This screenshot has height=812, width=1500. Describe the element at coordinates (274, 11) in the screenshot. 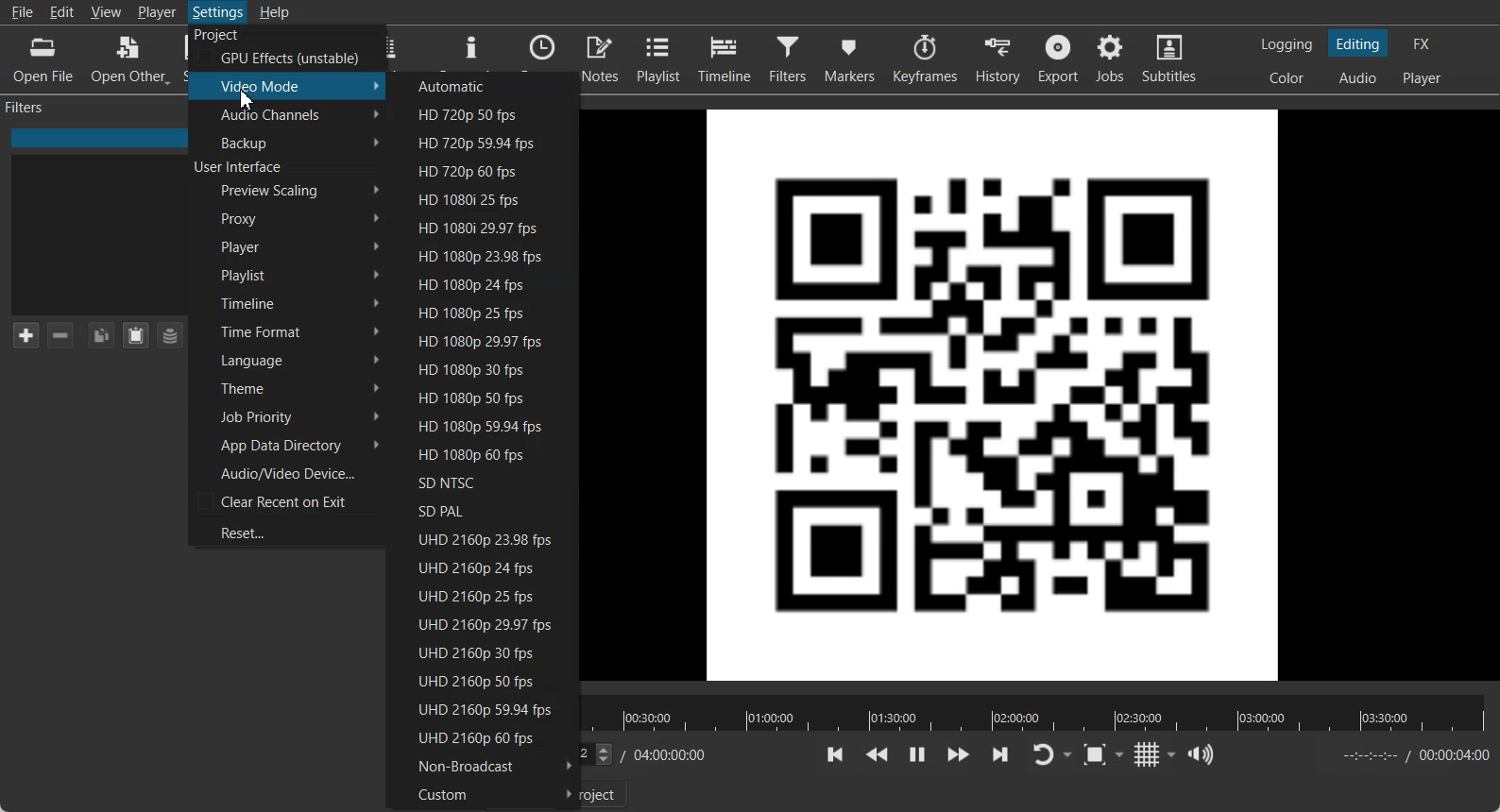

I see `Help` at that location.